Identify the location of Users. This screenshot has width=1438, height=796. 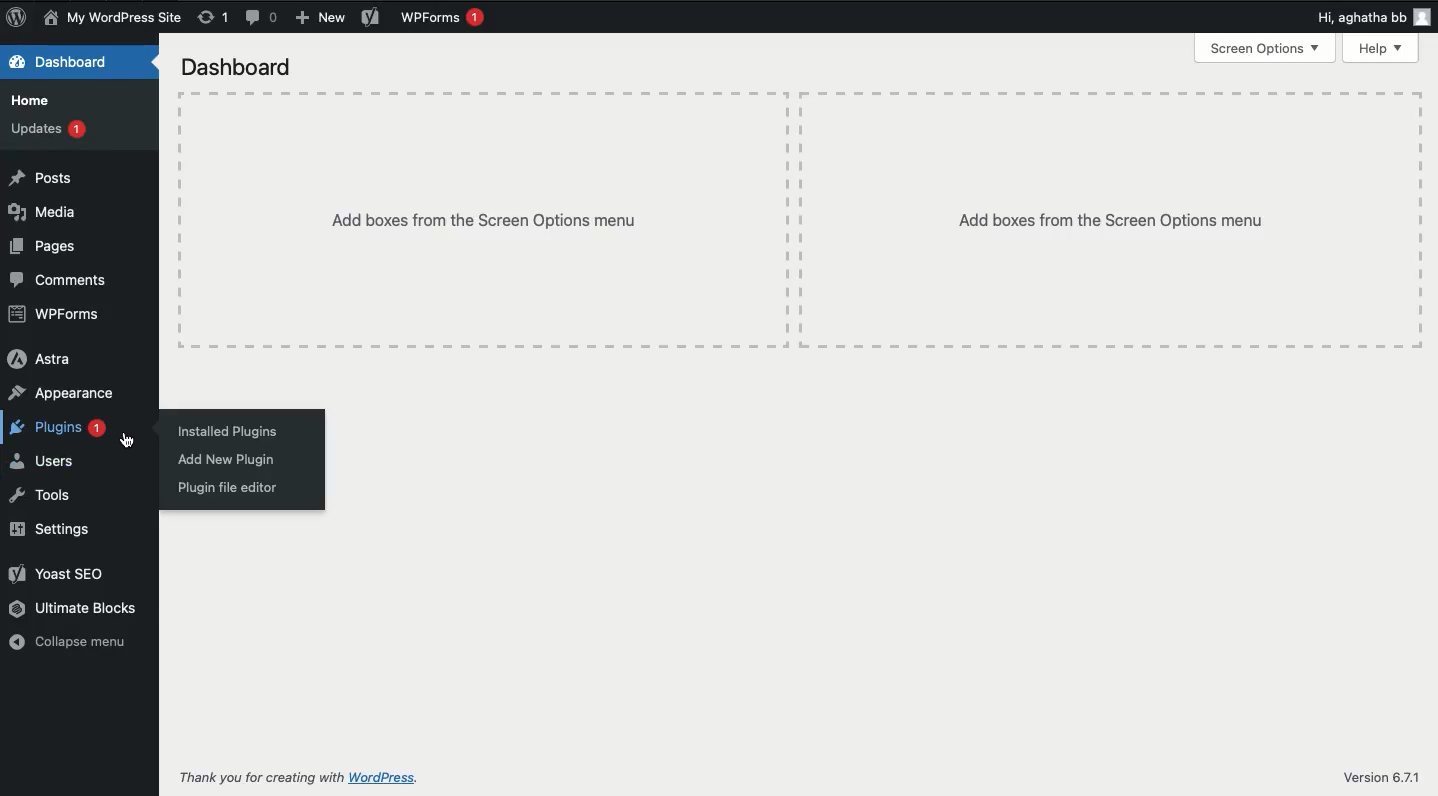
(43, 461).